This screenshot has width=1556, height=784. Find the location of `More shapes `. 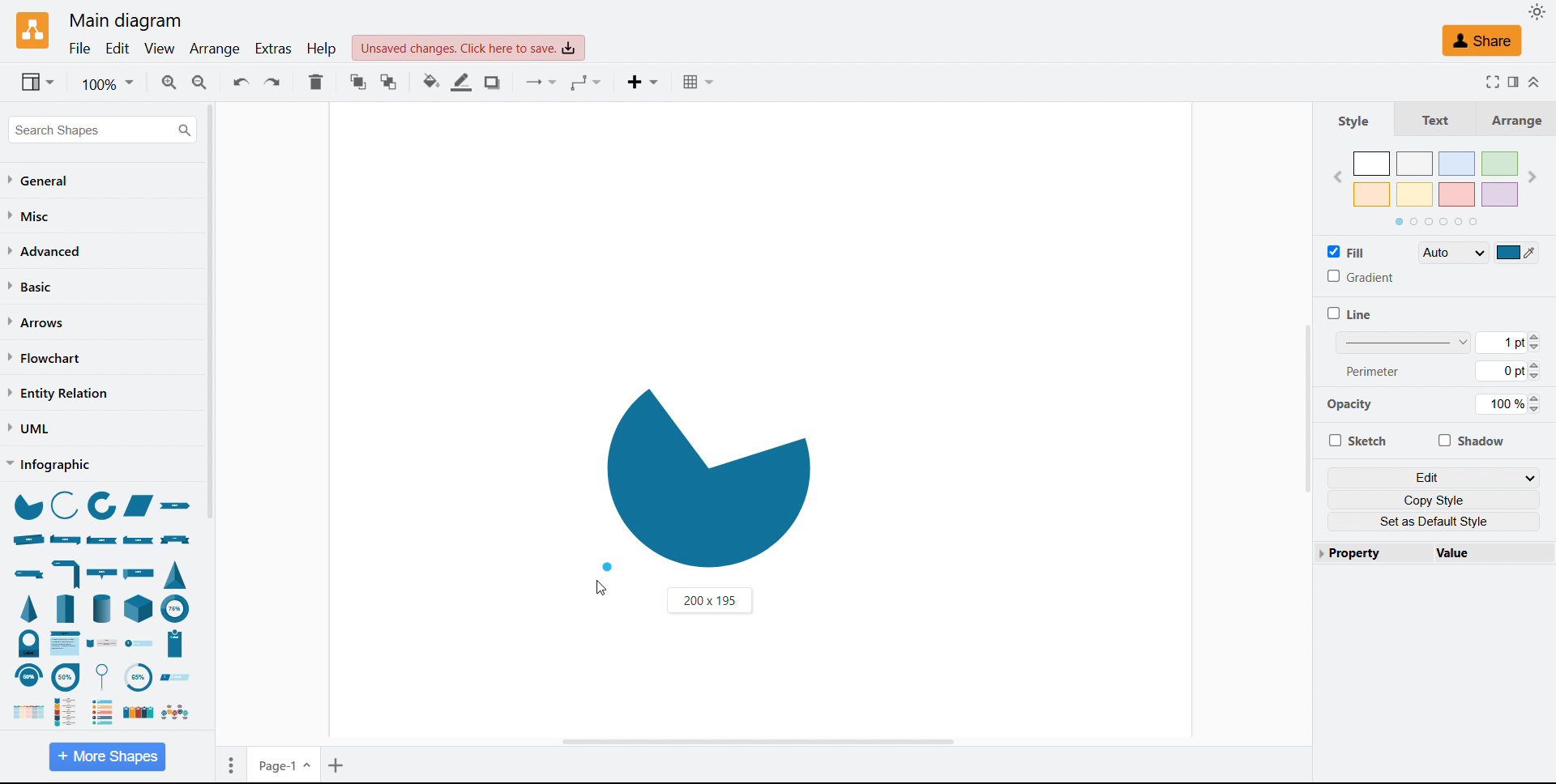

More shapes  is located at coordinates (107, 756).